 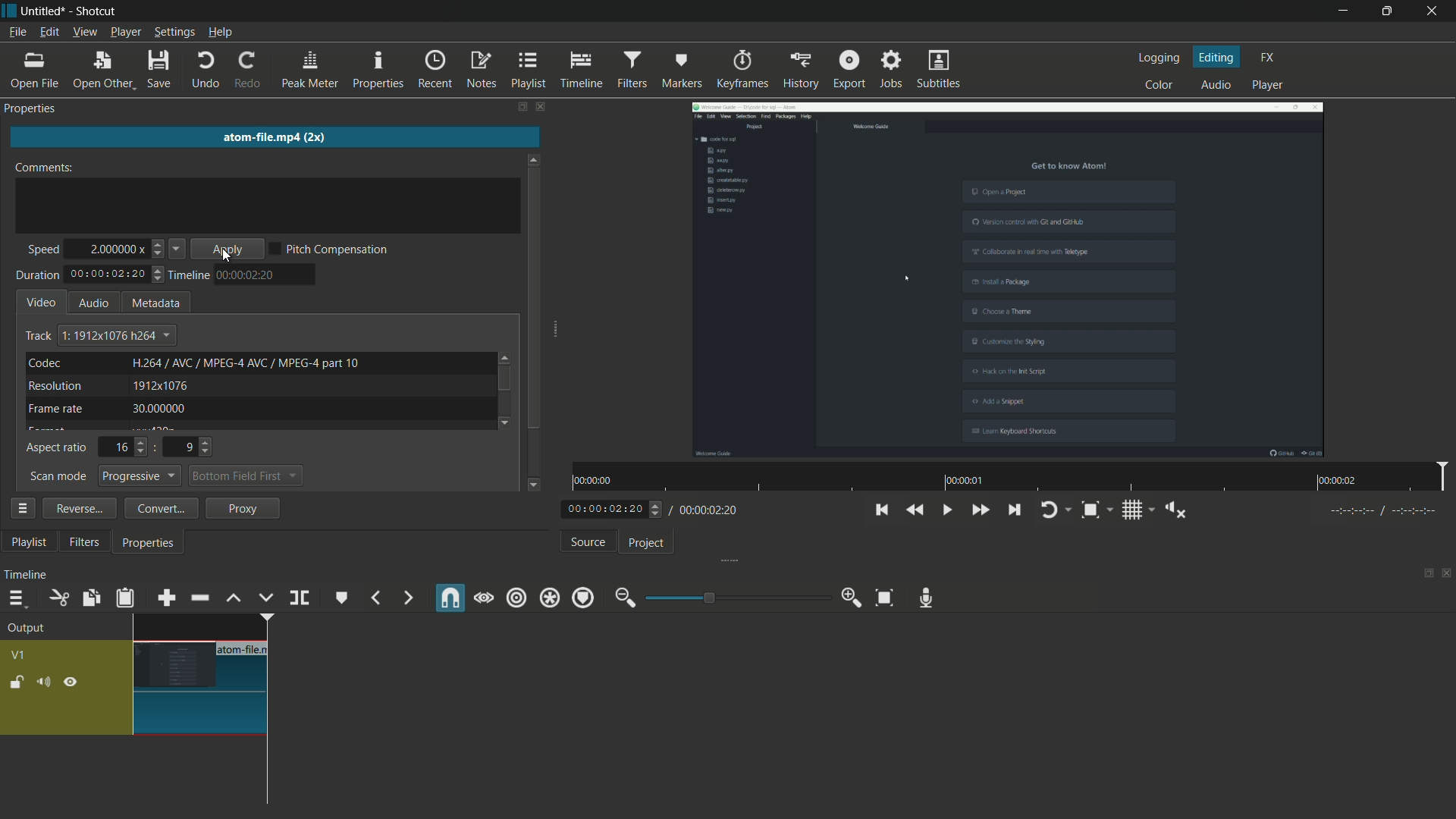 What do you see at coordinates (1159, 86) in the screenshot?
I see `color` at bounding box center [1159, 86].